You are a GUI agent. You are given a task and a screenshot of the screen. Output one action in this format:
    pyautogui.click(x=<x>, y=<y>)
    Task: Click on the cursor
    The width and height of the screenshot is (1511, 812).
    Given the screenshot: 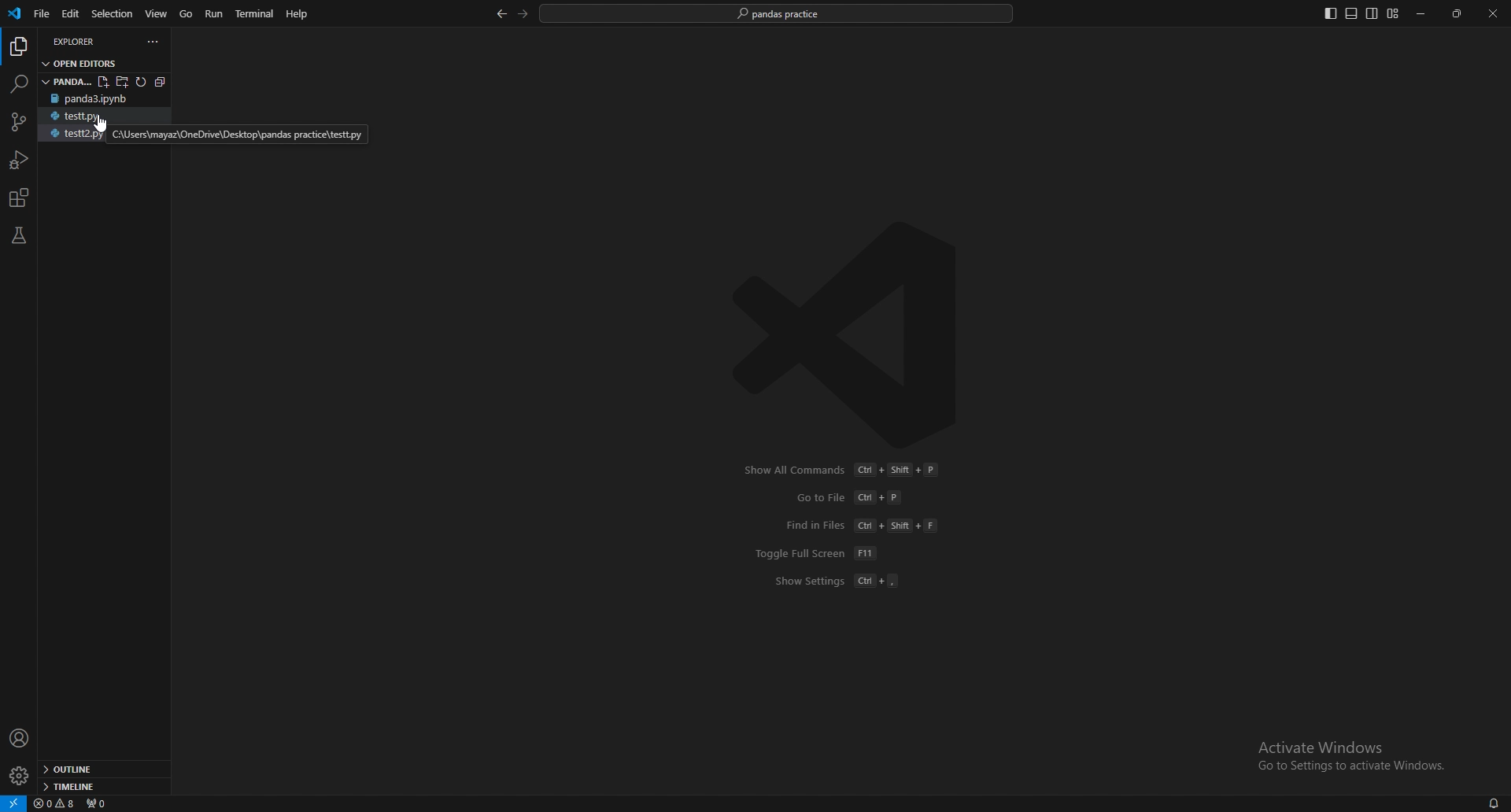 What is the action you would take?
    pyautogui.click(x=100, y=127)
    